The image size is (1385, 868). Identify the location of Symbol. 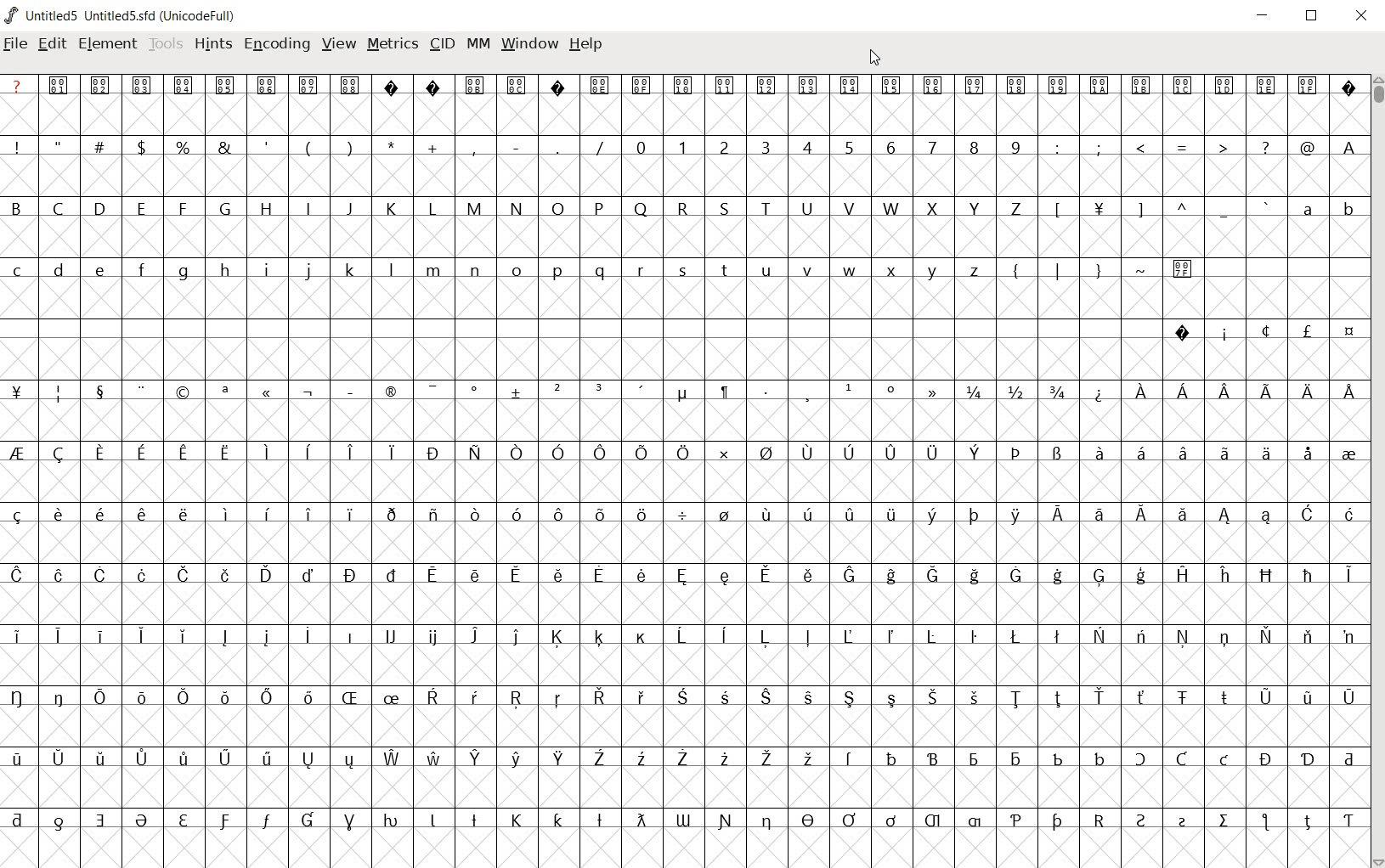
(1224, 576).